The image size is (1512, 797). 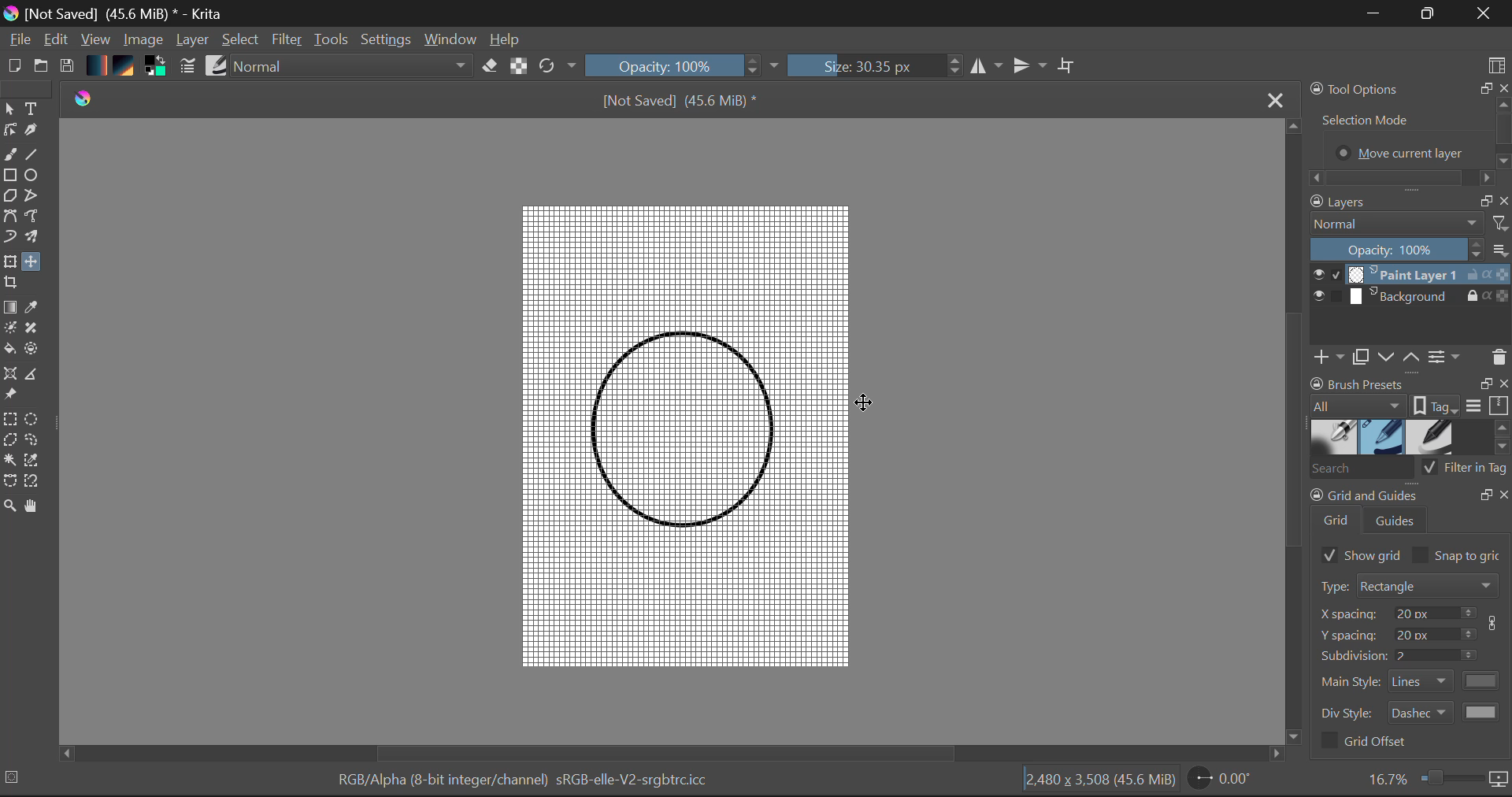 I want to click on Brush Settings, so click(x=187, y=67).